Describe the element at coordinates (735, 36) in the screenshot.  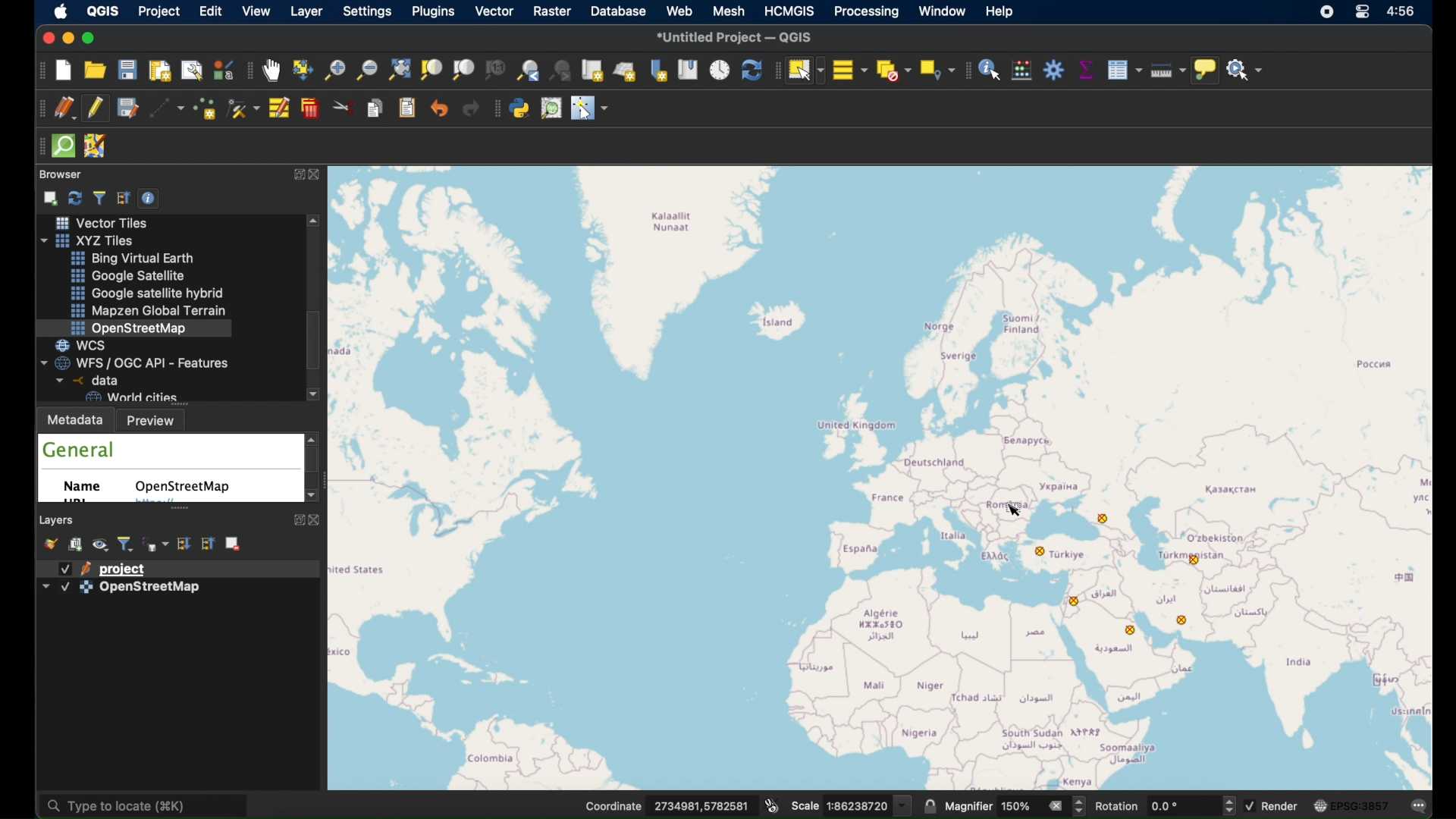
I see `untitled project - QGIS` at that location.